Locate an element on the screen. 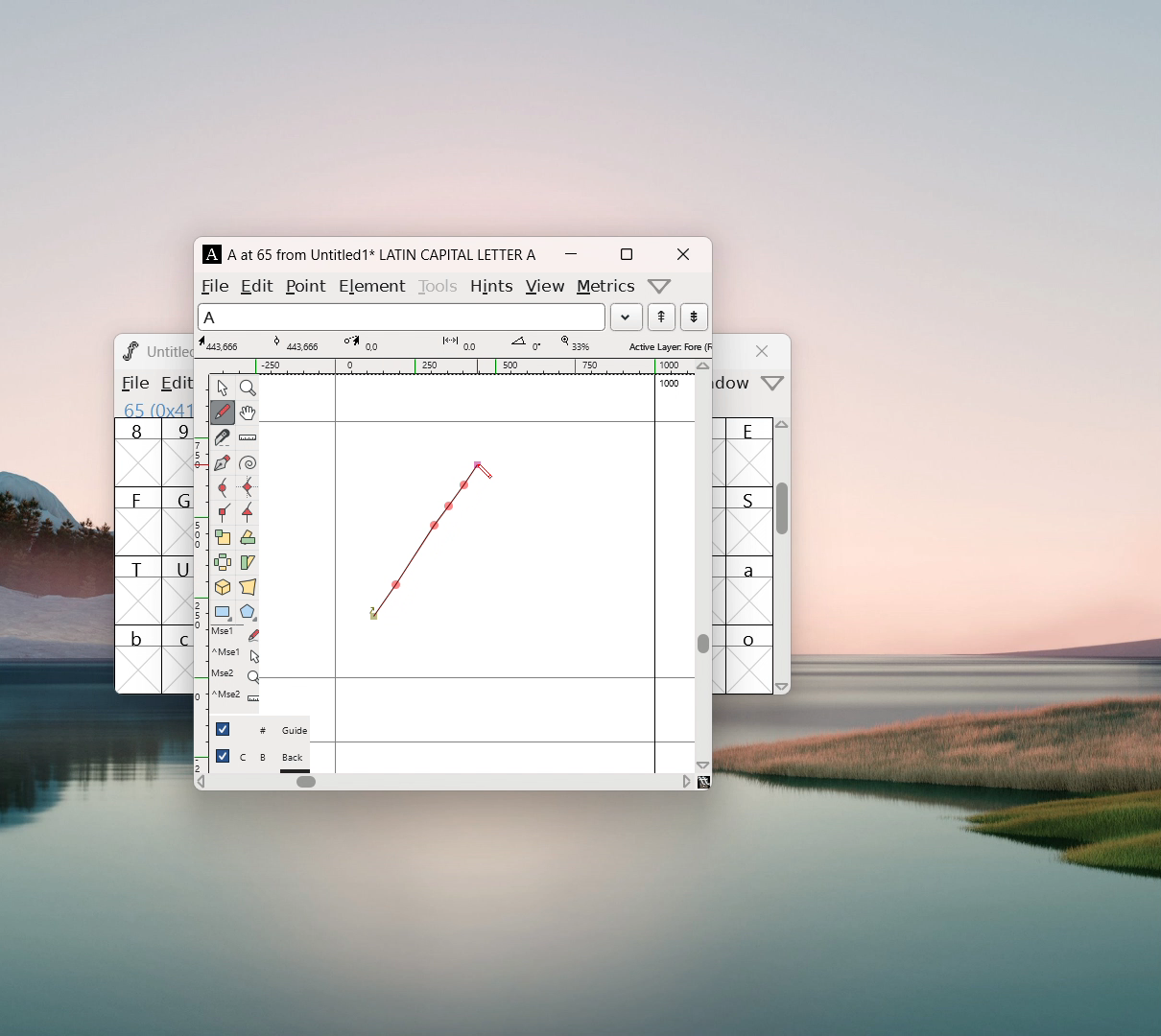  draw a freehand curve is located at coordinates (223, 412).